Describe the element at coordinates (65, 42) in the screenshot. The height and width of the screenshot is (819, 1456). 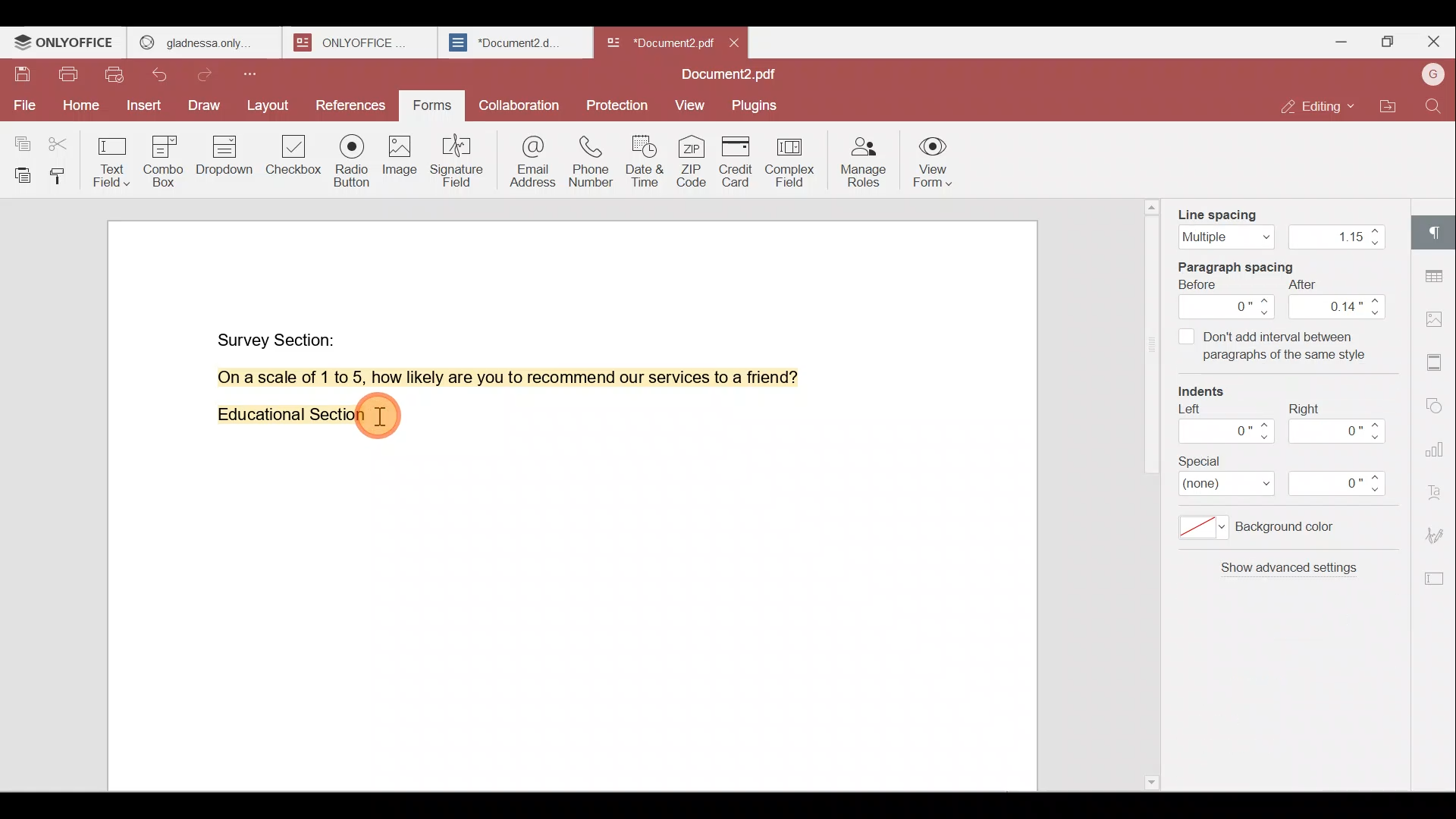
I see `ONLYOFFICE` at that location.